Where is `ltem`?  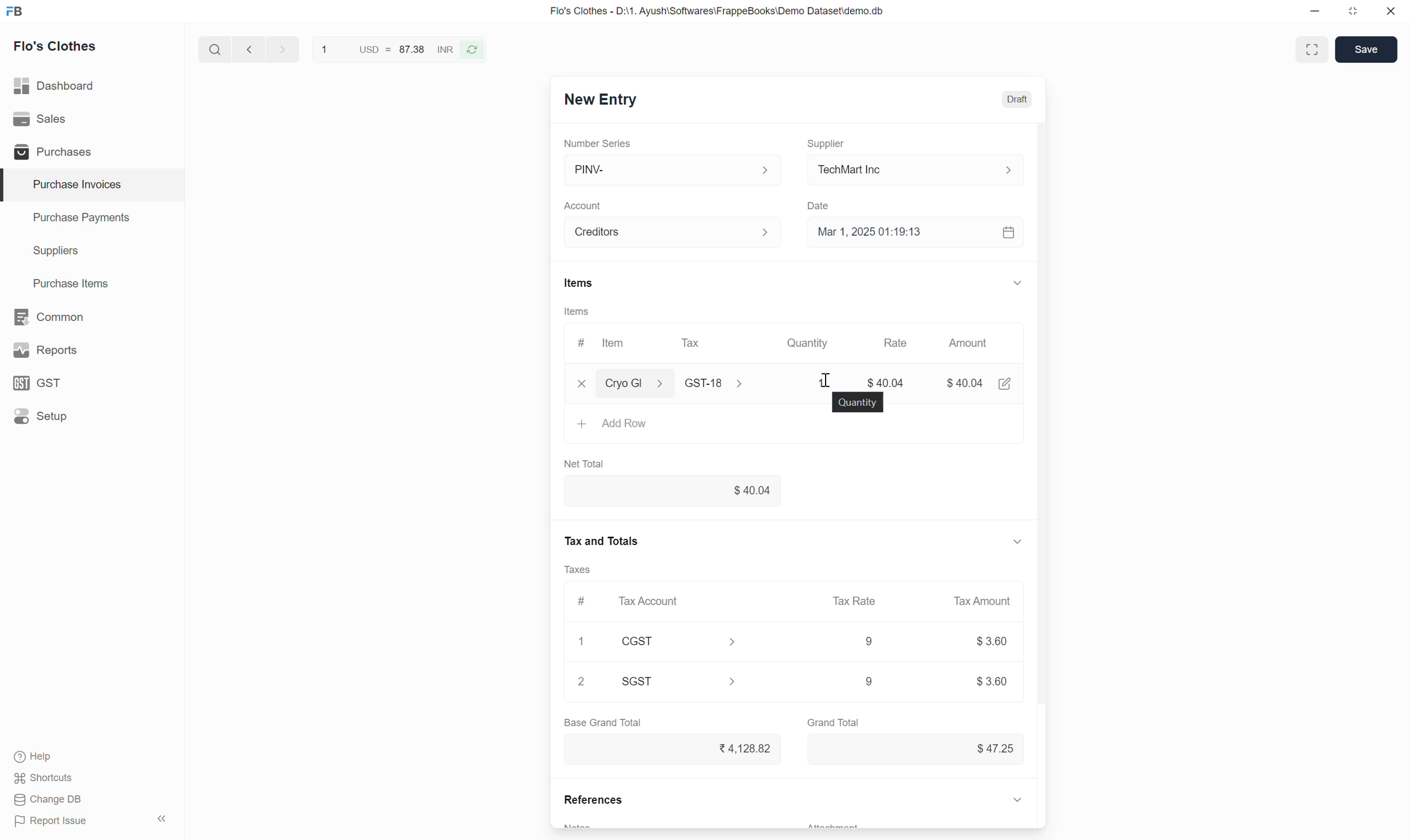 ltem is located at coordinates (616, 345).